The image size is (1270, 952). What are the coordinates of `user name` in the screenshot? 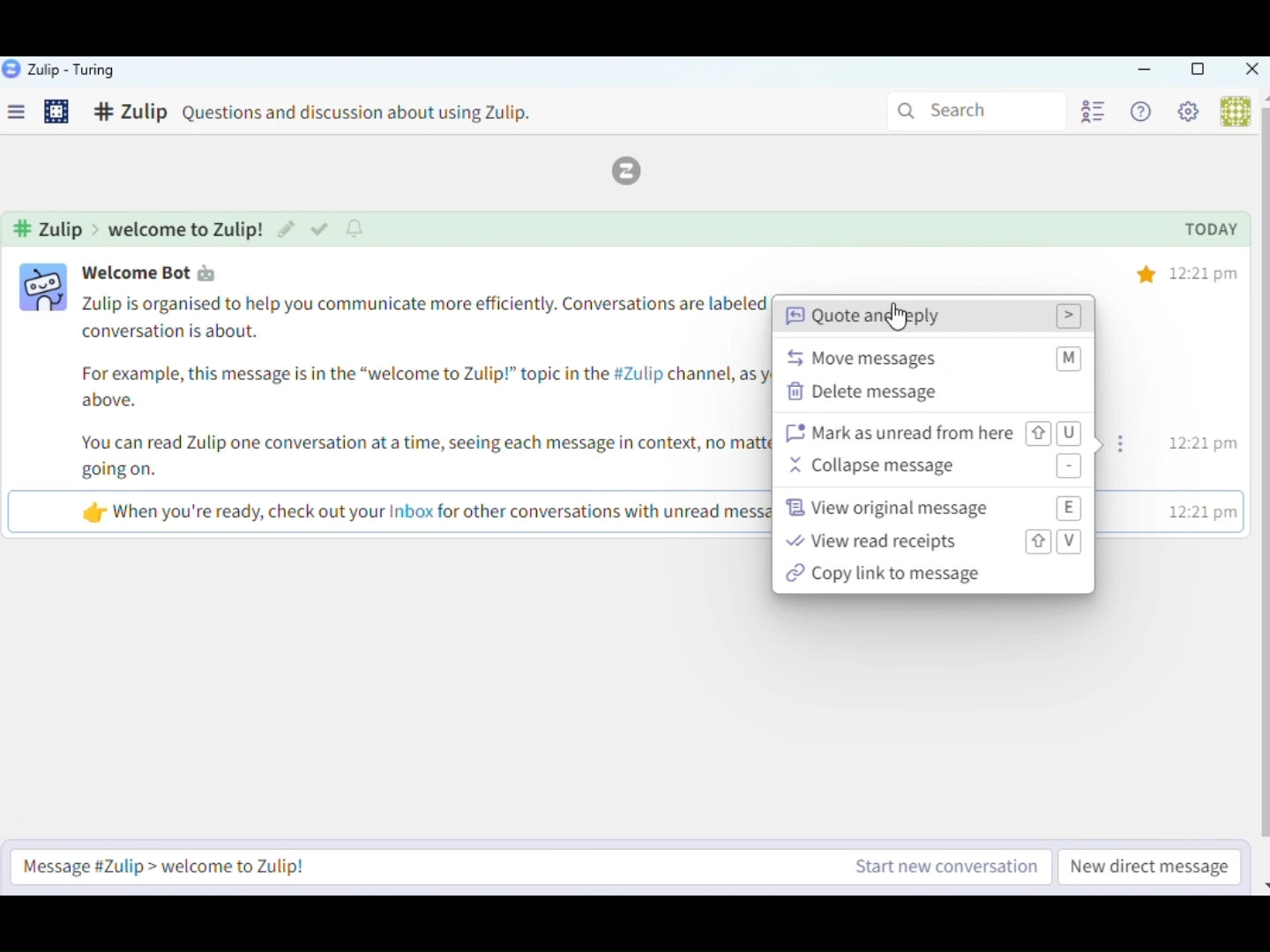 It's located at (164, 272).